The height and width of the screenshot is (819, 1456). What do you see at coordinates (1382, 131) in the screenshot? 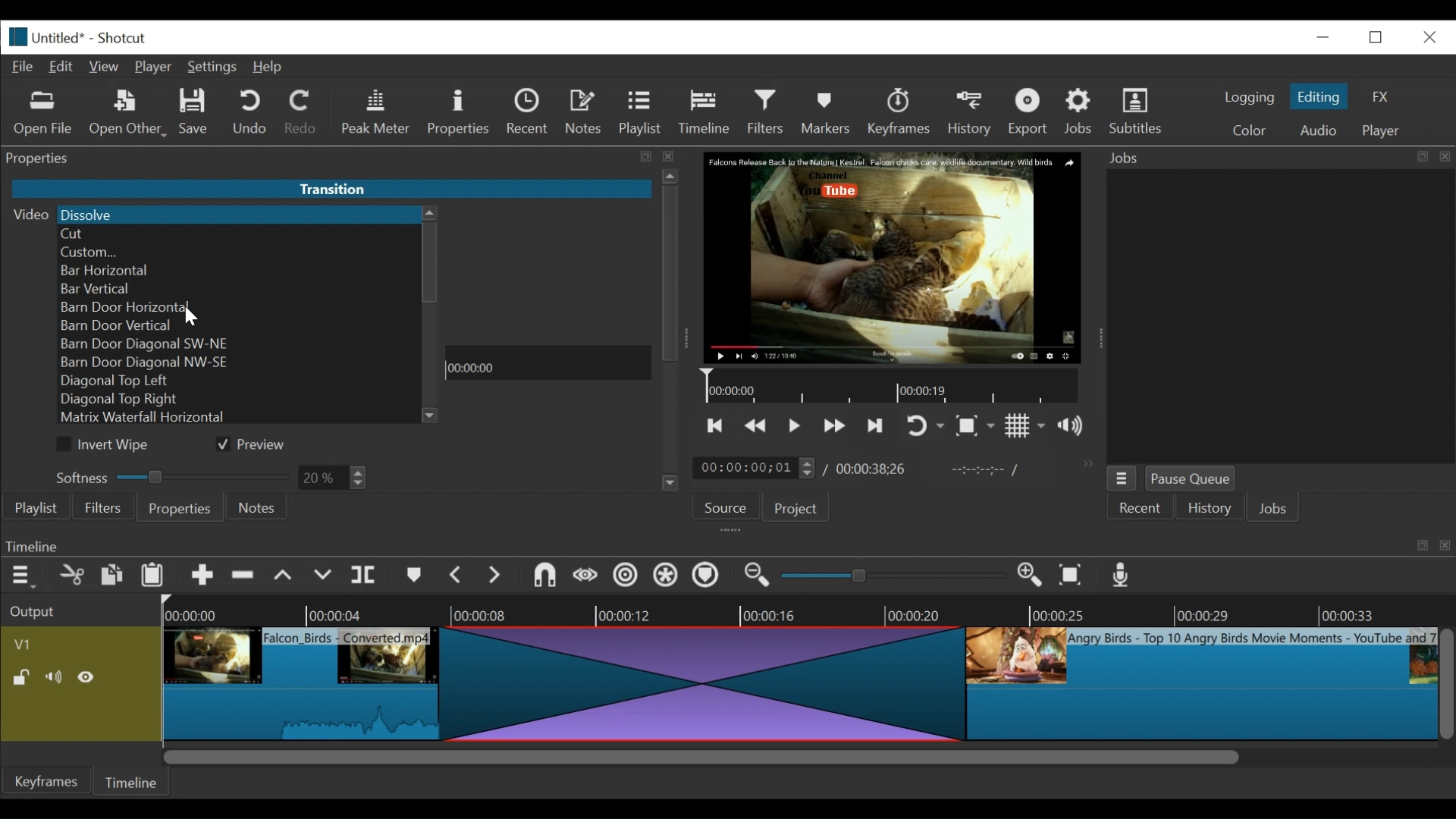
I see `player` at bounding box center [1382, 131].